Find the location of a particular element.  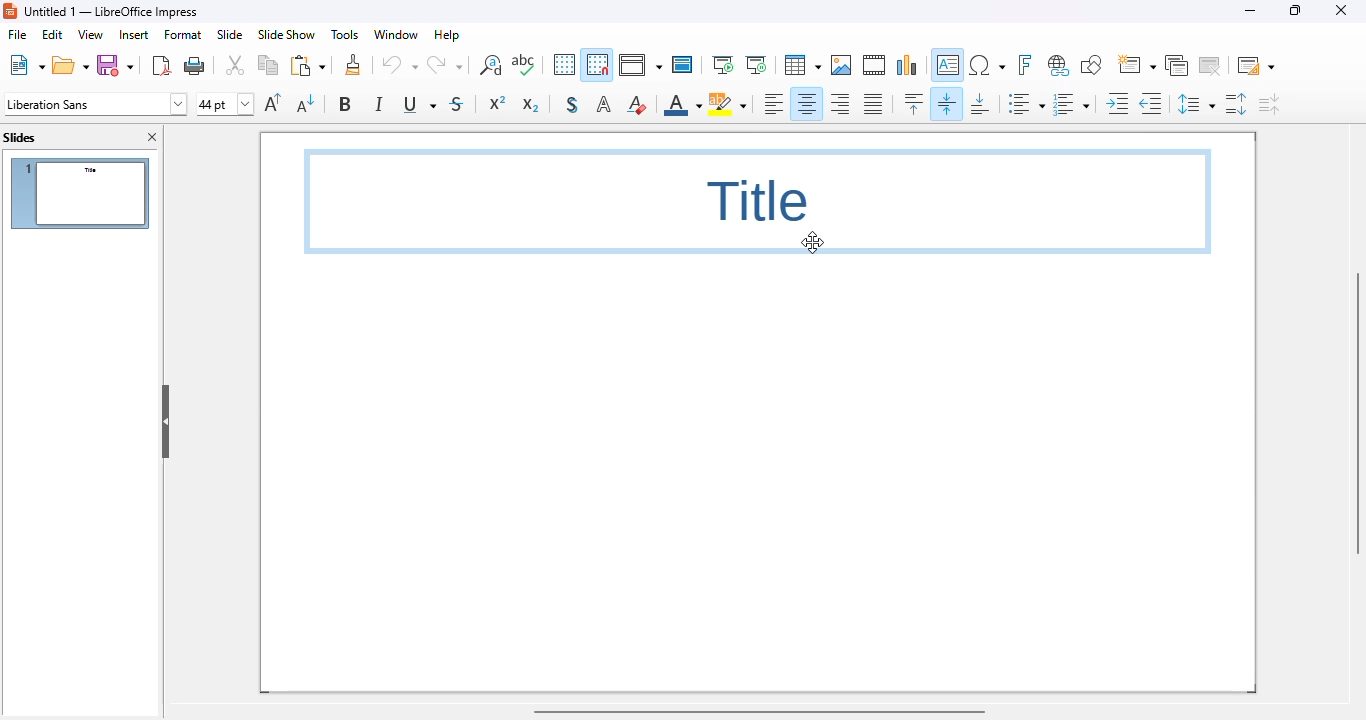

toggle unordered list is located at coordinates (1026, 104).